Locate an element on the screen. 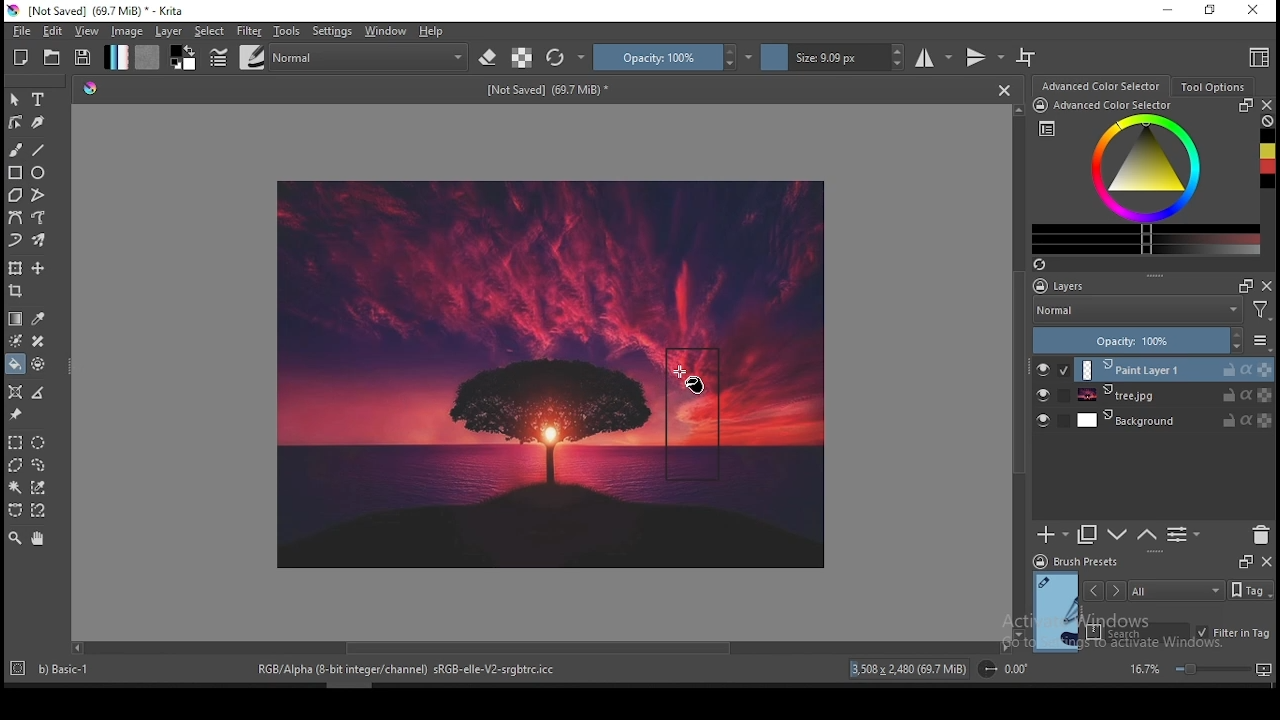 The height and width of the screenshot is (720, 1280). close window is located at coordinates (1252, 10).